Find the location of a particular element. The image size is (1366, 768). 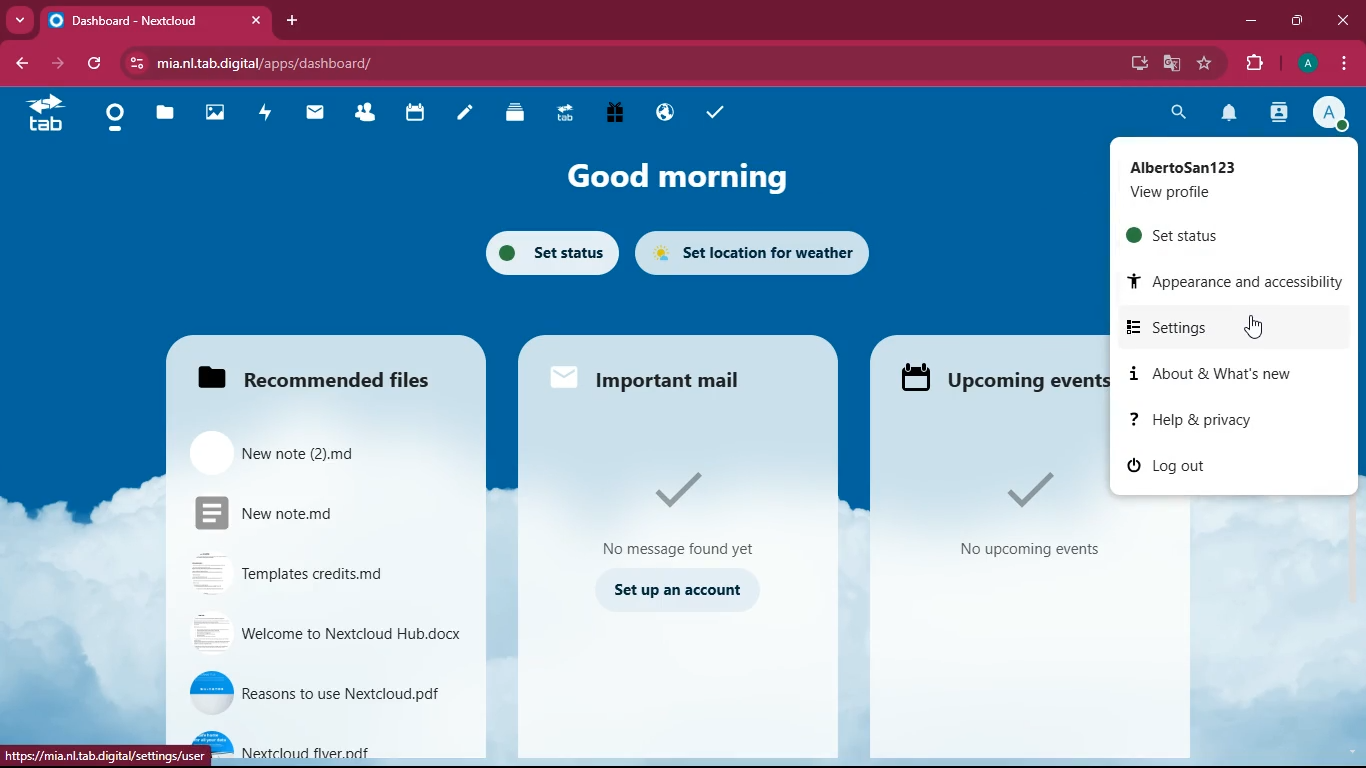

activity is located at coordinates (268, 115).